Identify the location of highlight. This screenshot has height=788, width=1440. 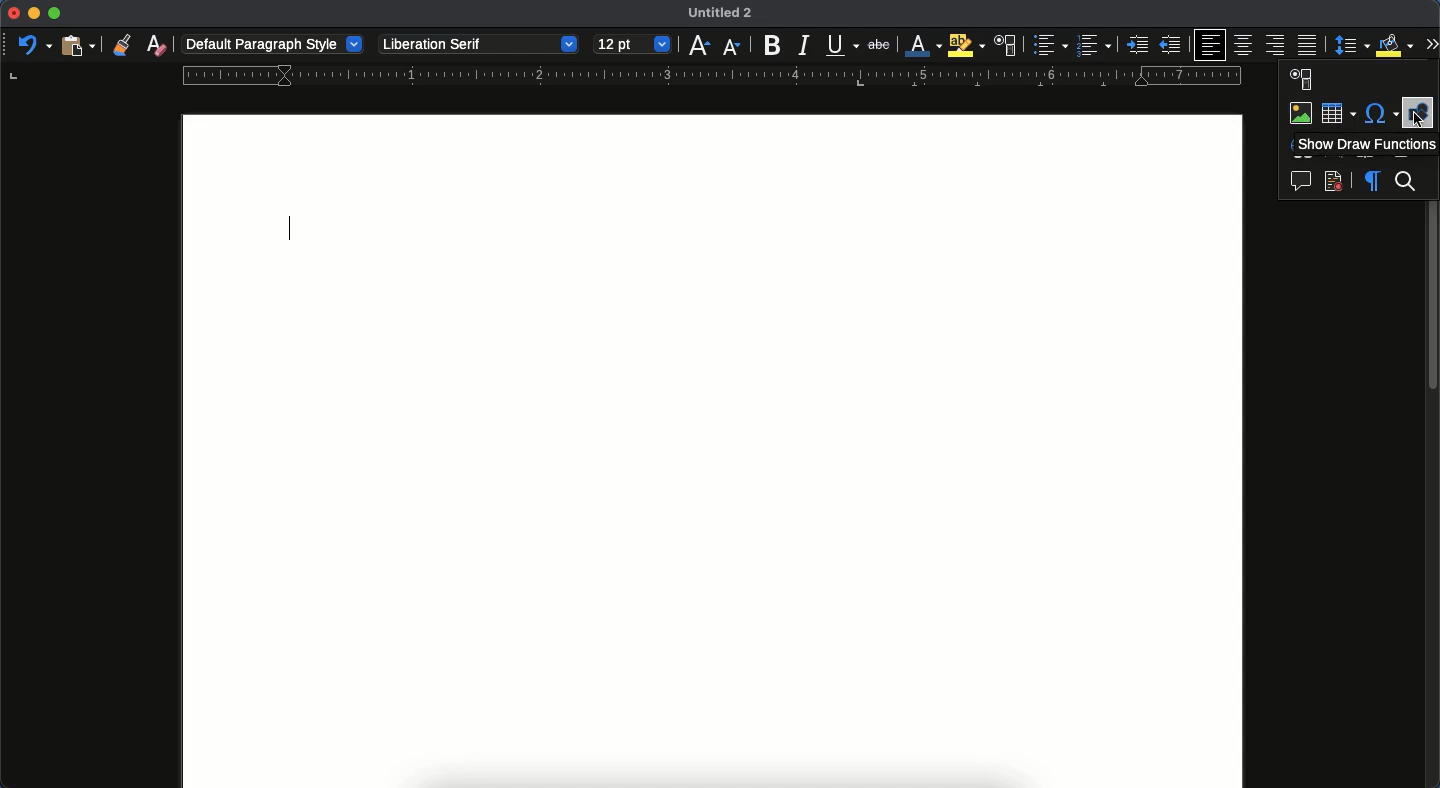
(968, 45).